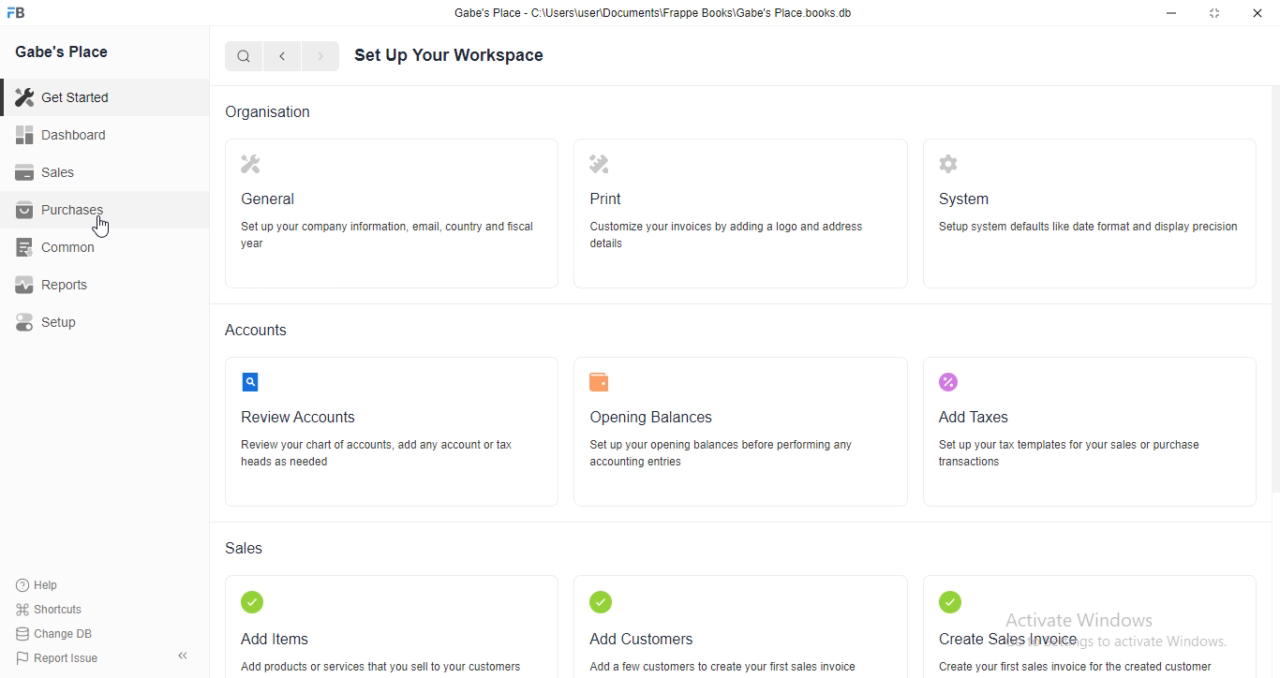  I want to click on Get Started, so click(62, 96).